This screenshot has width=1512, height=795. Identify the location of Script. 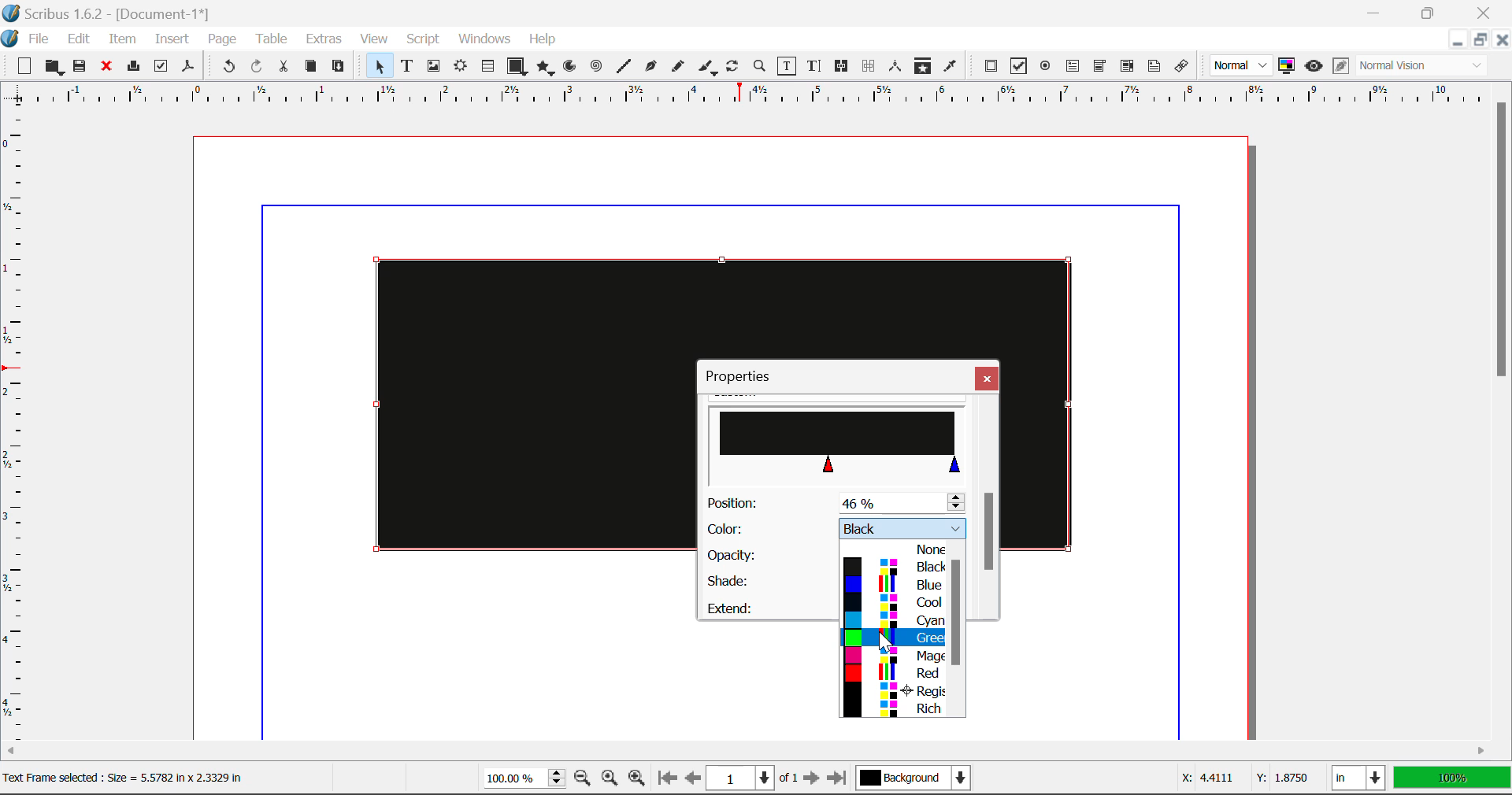
(424, 39).